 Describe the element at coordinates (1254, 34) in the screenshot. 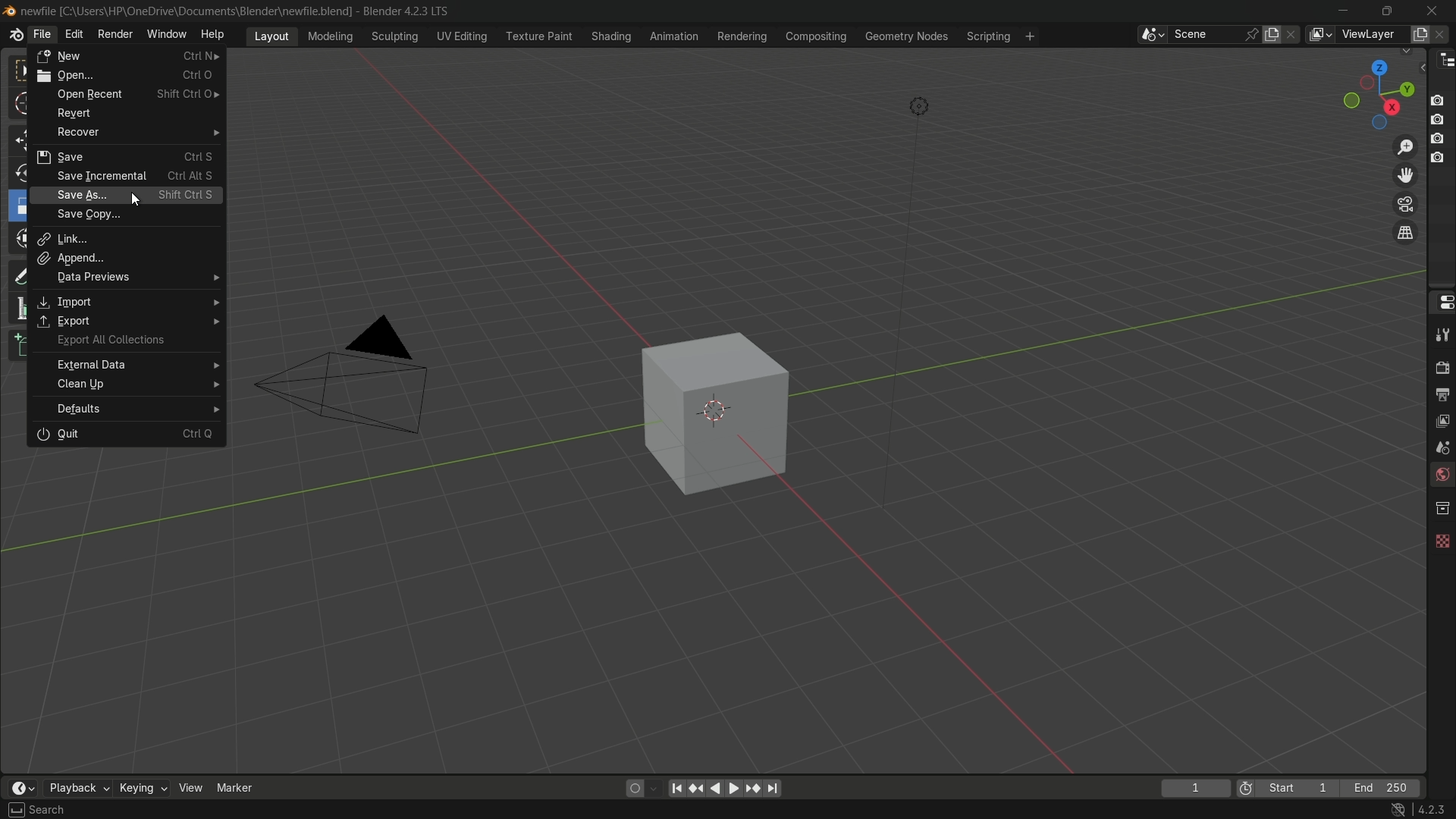

I see `pin scene to workplace` at that location.